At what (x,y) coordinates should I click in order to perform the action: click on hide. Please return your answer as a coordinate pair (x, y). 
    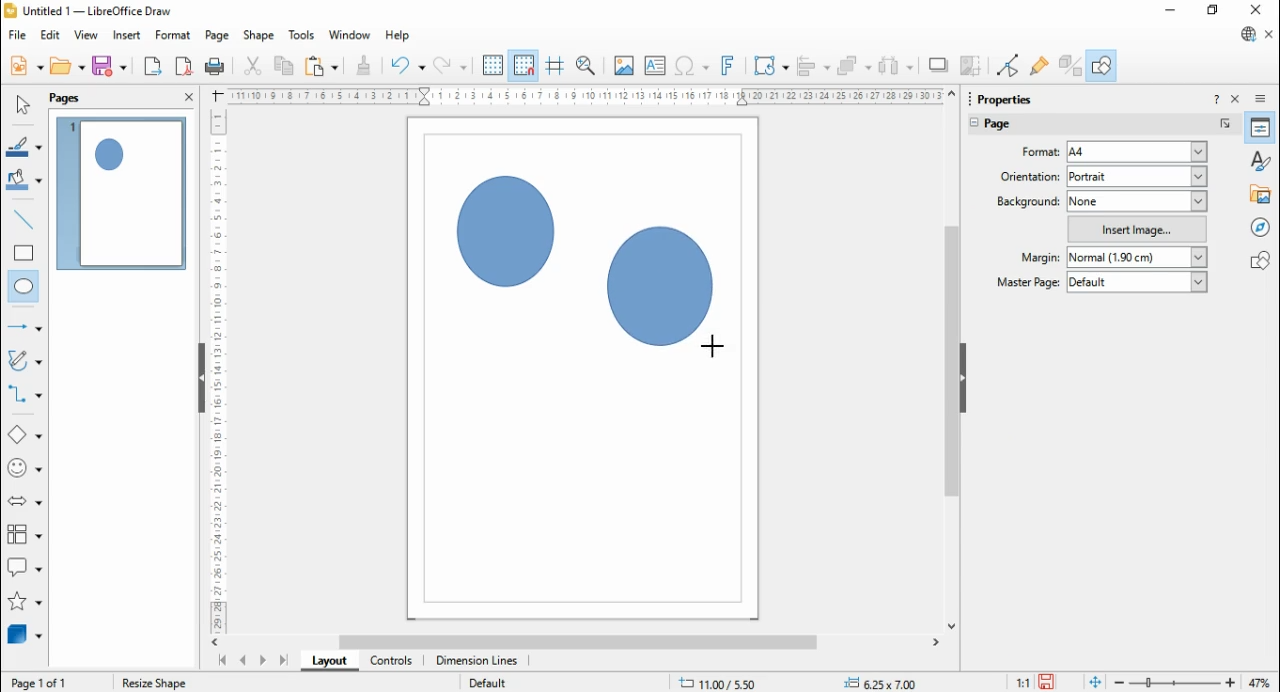
    Looking at the image, I should click on (962, 379).